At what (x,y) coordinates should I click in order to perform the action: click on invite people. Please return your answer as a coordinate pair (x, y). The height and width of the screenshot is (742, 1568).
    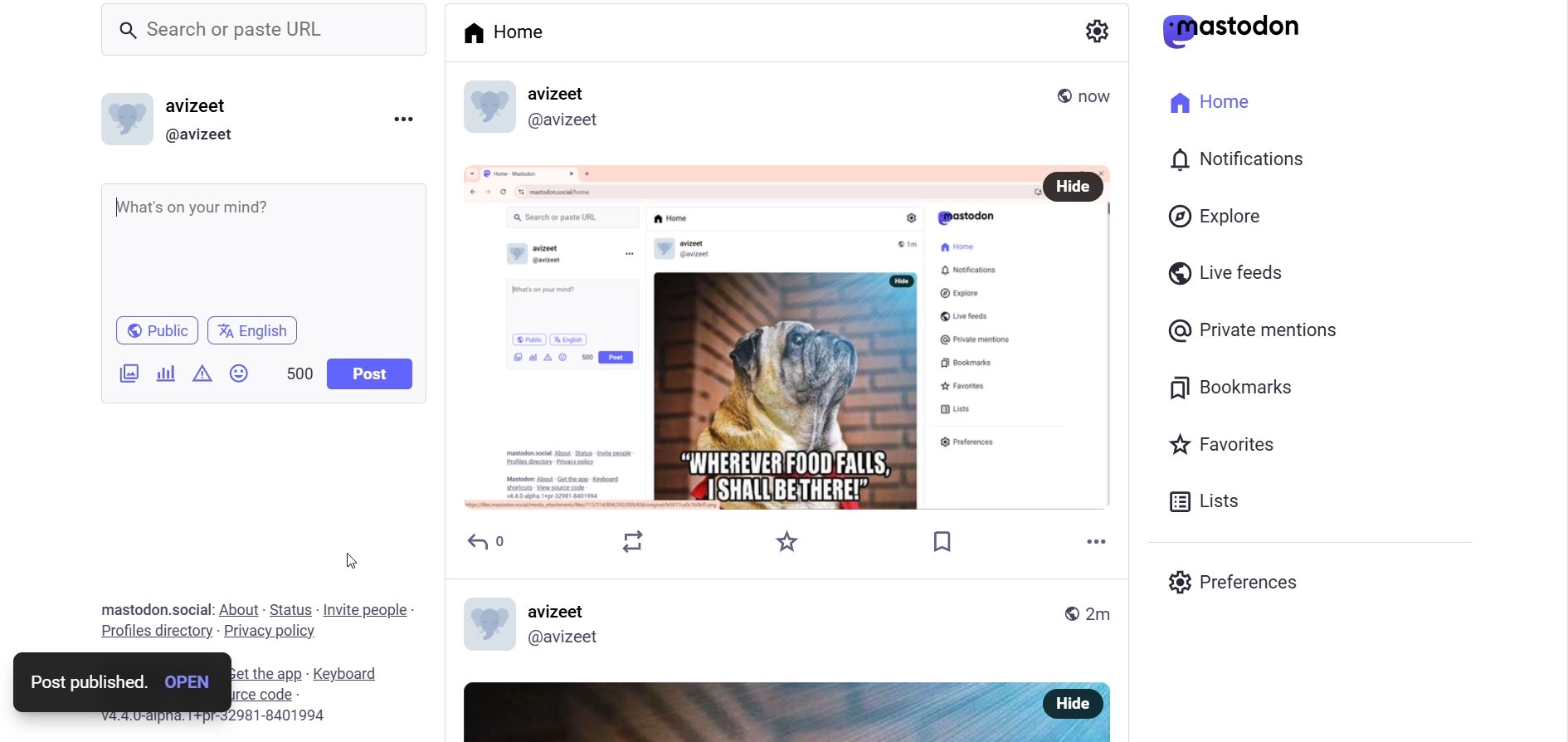
    Looking at the image, I should click on (368, 609).